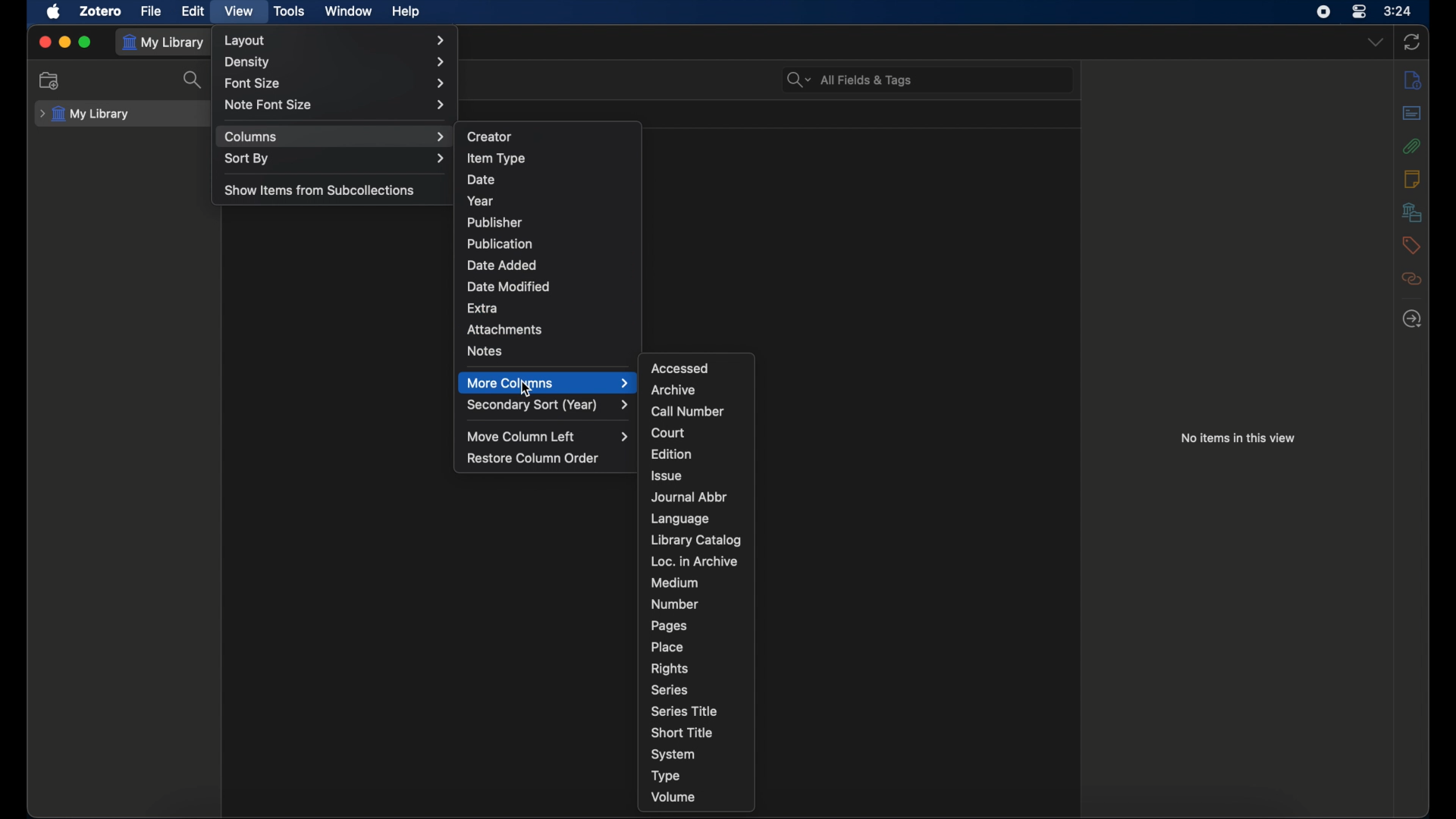  Describe the element at coordinates (497, 158) in the screenshot. I see `item type` at that location.